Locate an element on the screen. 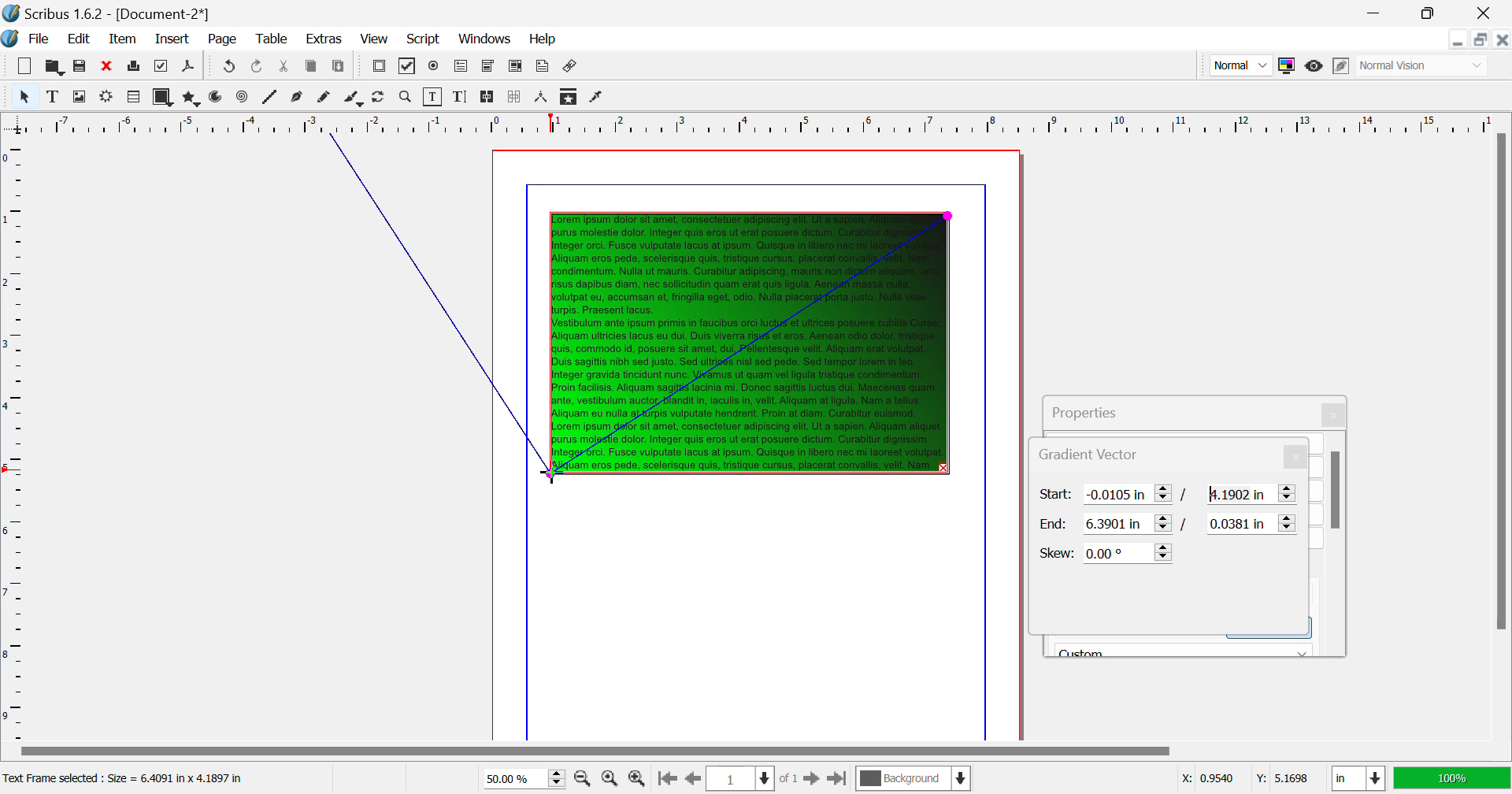 Image resolution: width=1512 pixels, height=794 pixels. Delink Frames is located at coordinates (516, 97).